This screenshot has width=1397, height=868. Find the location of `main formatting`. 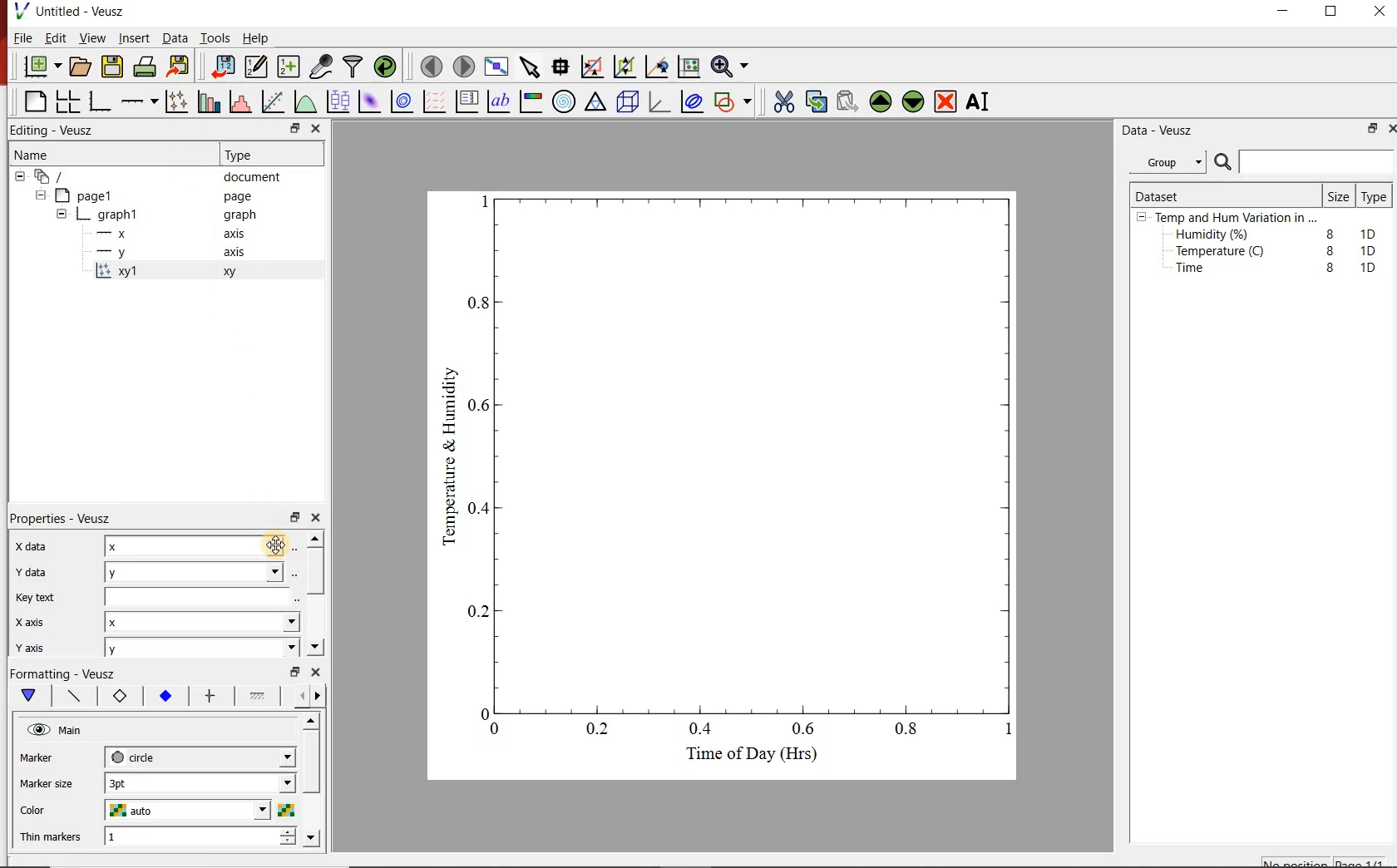

main formatting is located at coordinates (30, 697).